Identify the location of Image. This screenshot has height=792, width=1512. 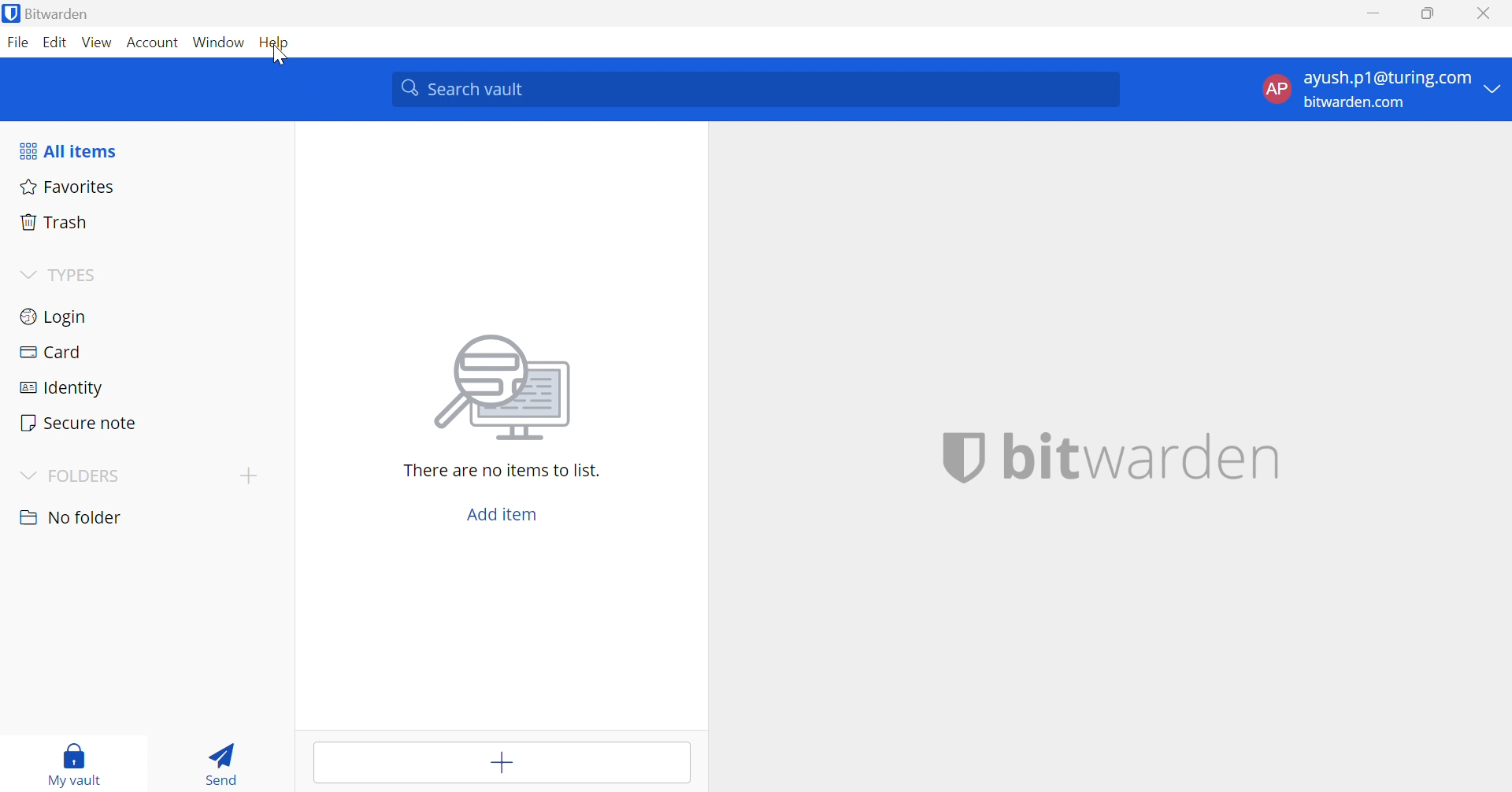
(510, 387).